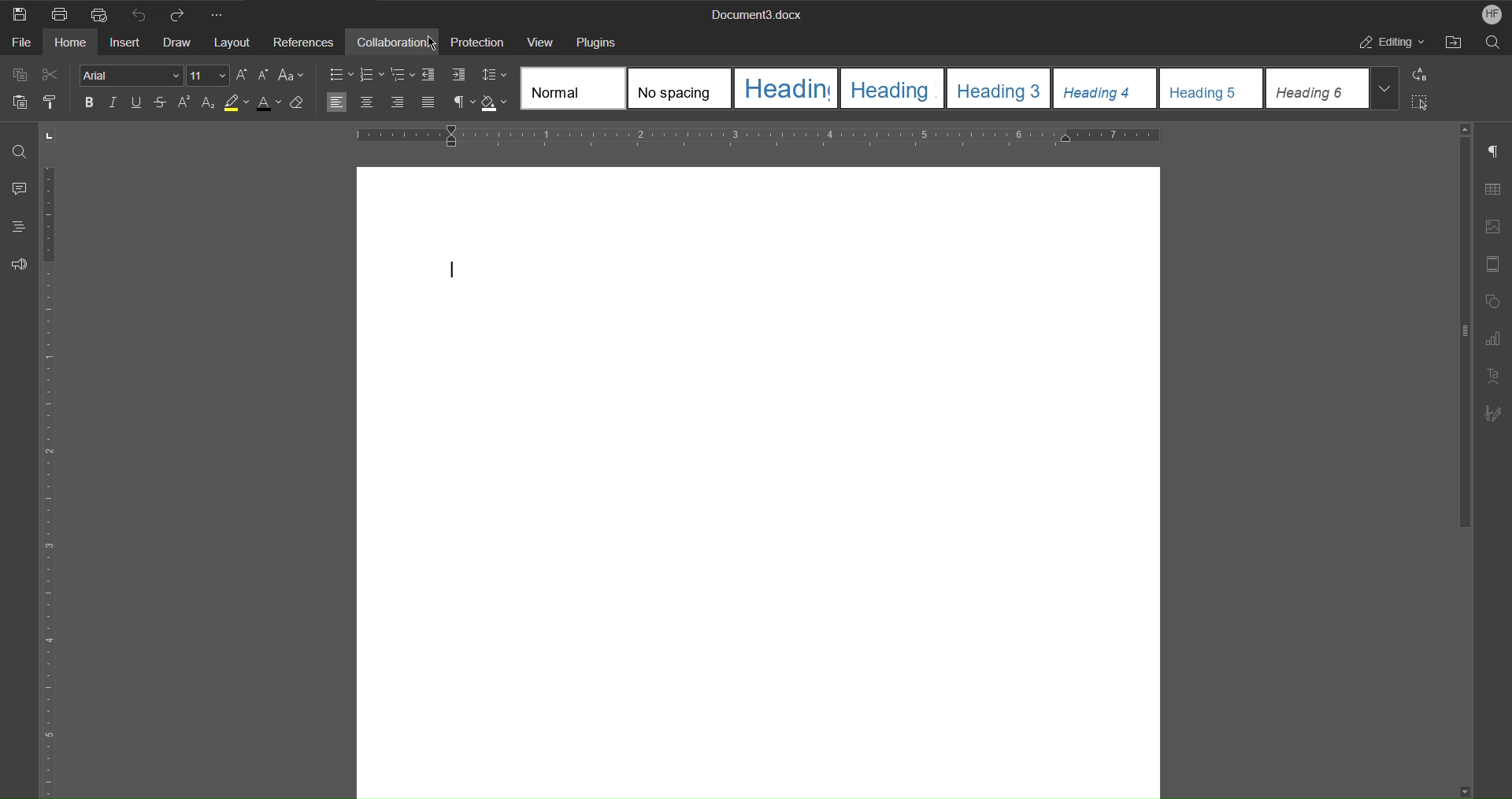  I want to click on Text Color, so click(267, 102).